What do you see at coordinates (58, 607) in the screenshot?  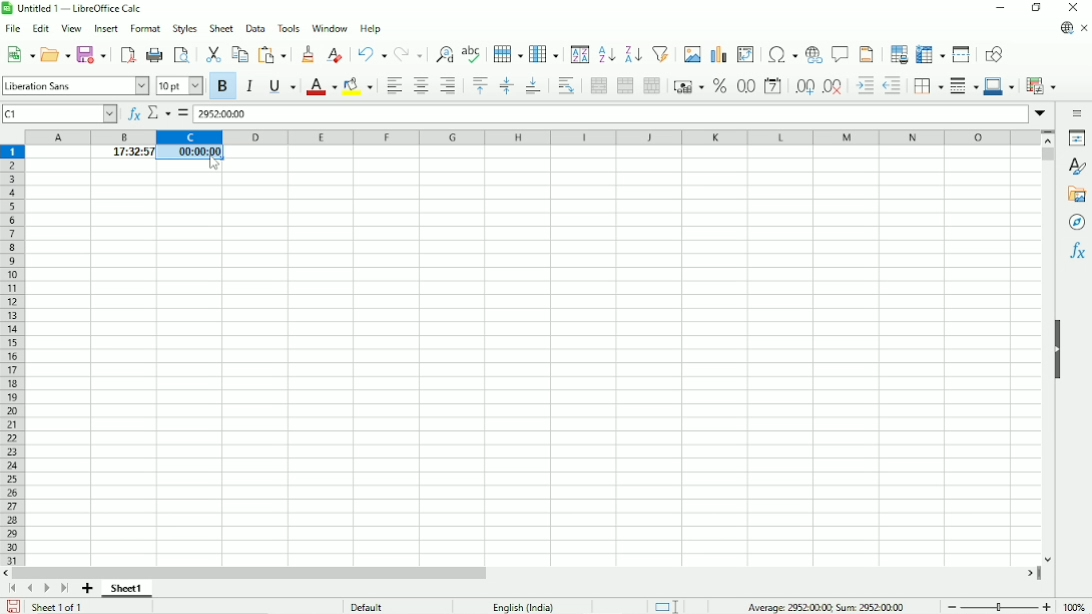 I see `Sheet 1 of 1` at bounding box center [58, 607].